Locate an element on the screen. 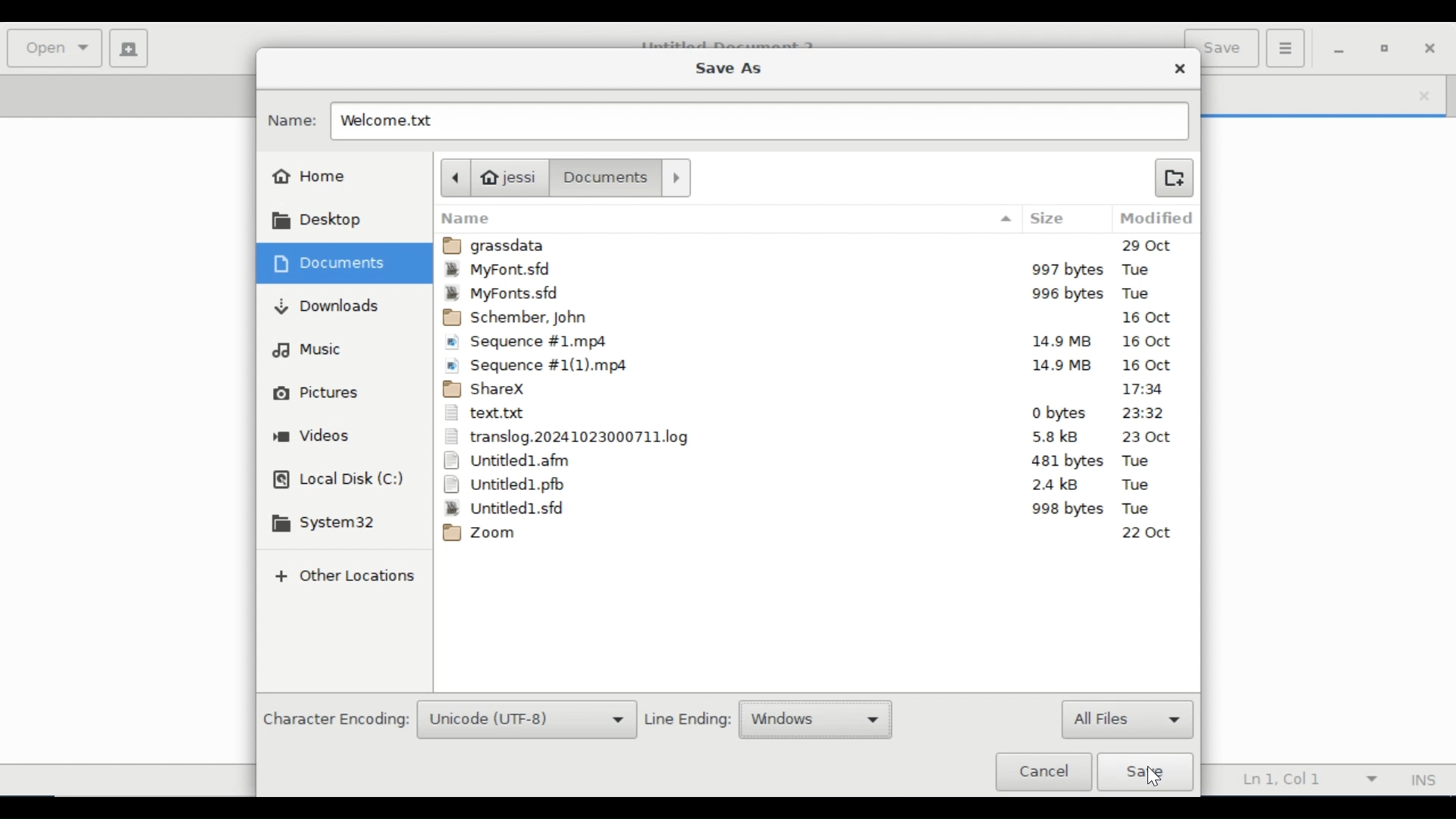 Image resolution: width=1456 pixels, height=819 pixels. close is located at coordinates (1427, 99).